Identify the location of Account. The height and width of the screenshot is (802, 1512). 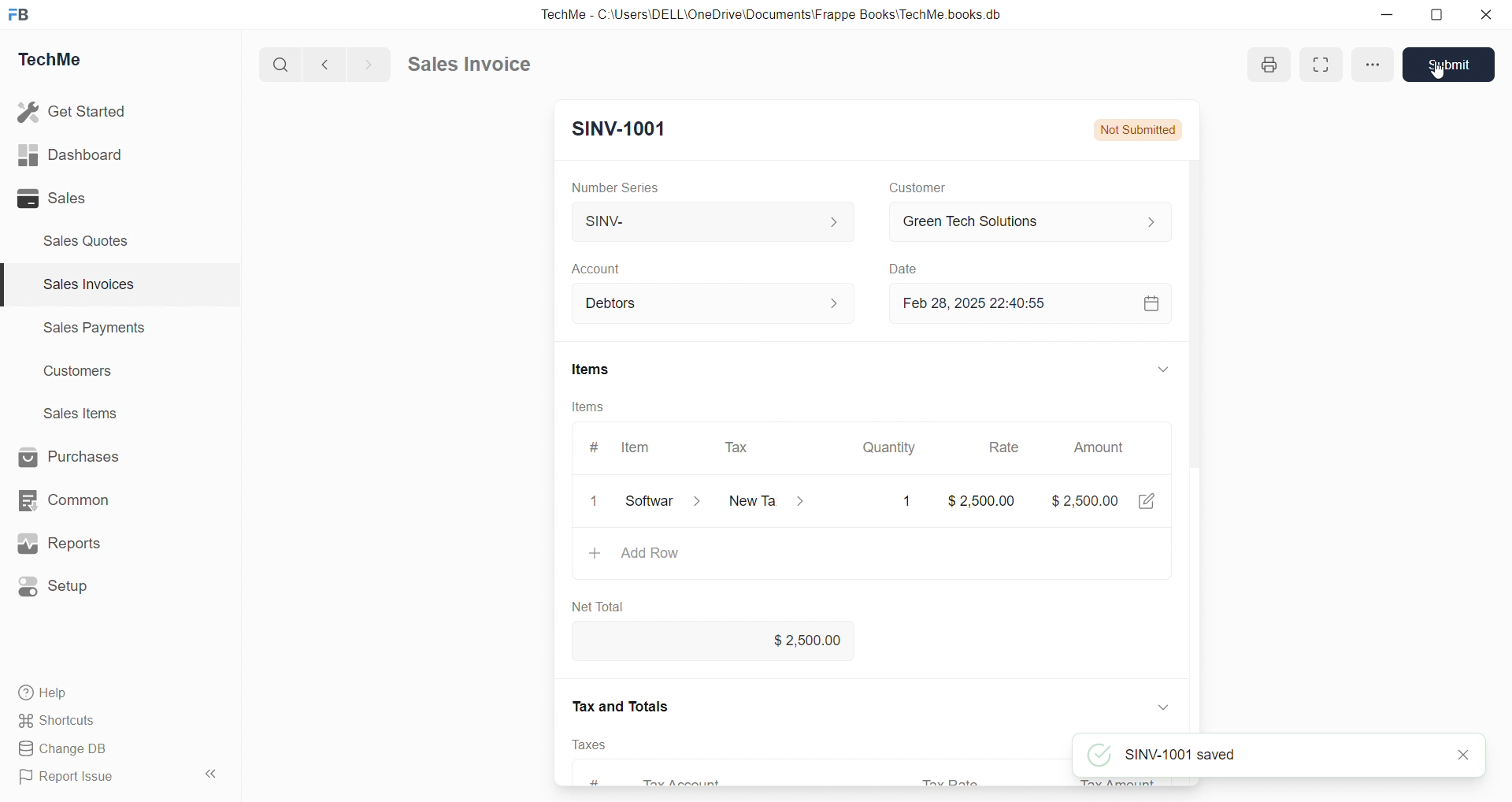
(604, 269).